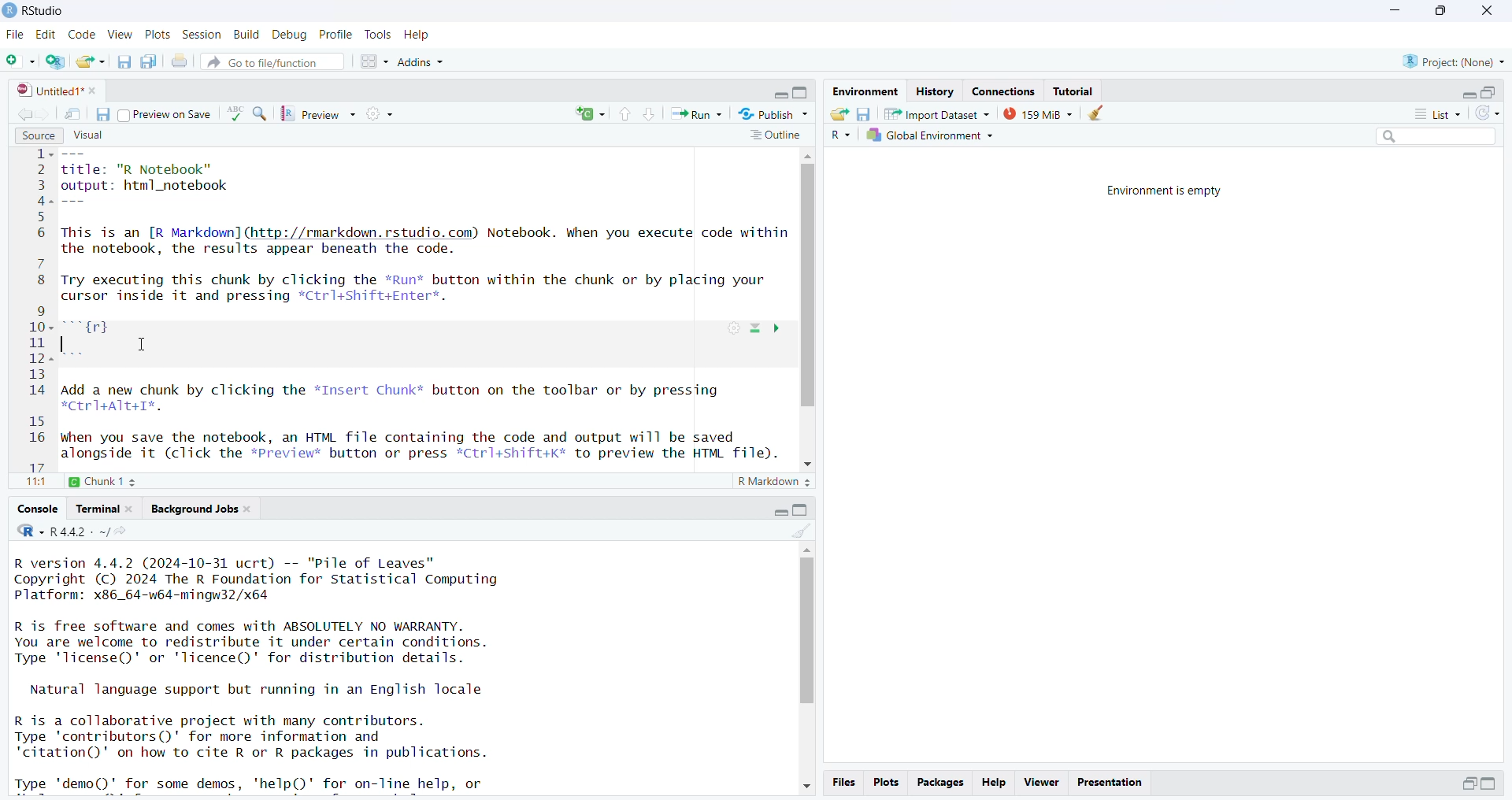 The height and width of the screenshot is (800, 1512). What do you see at coordinates (772, 113) in the screenshot?
I see `publish` at bounding box center [772, 113].